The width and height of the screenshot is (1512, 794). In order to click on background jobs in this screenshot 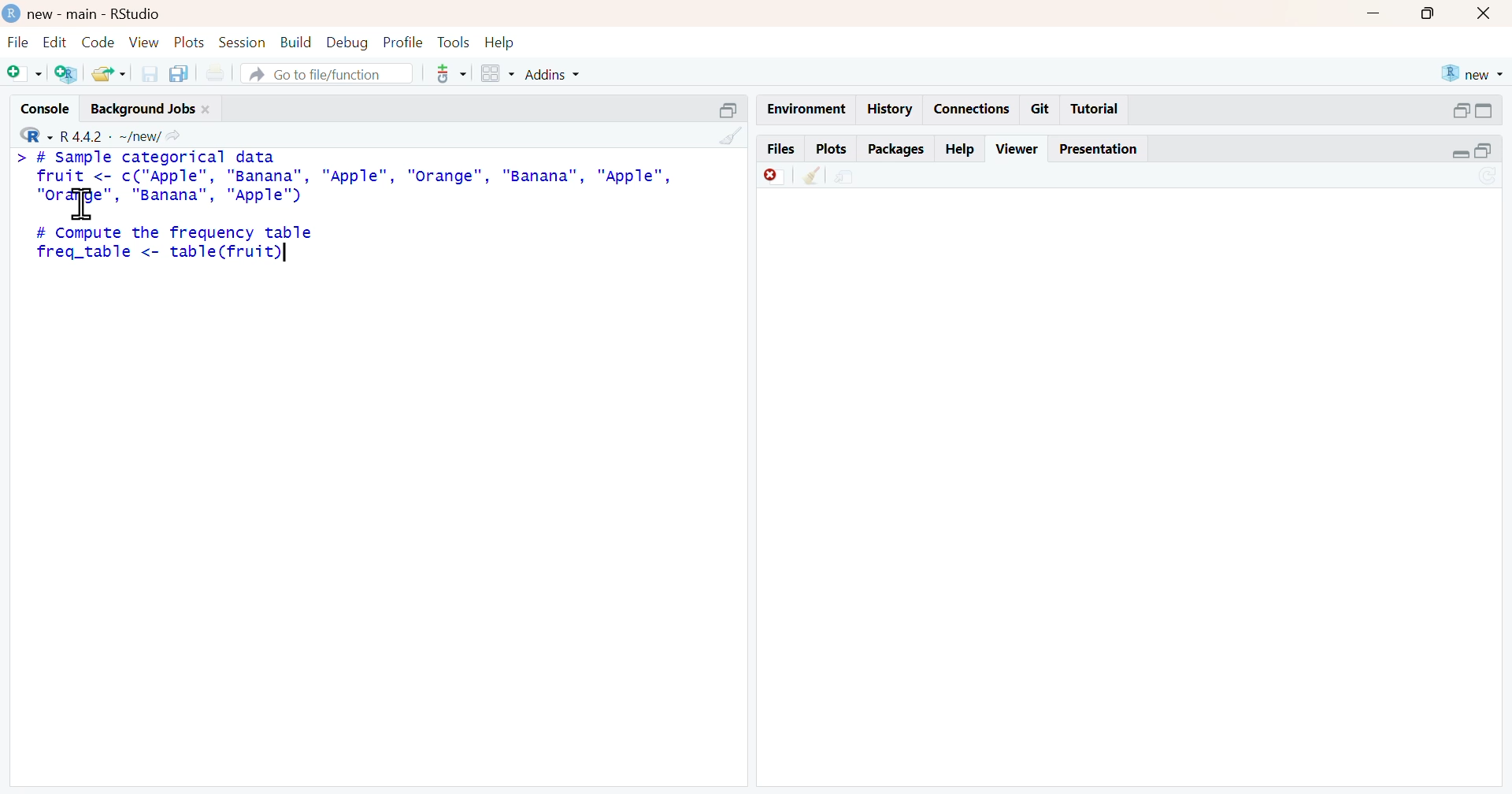, I will do `click(150, 110)`.